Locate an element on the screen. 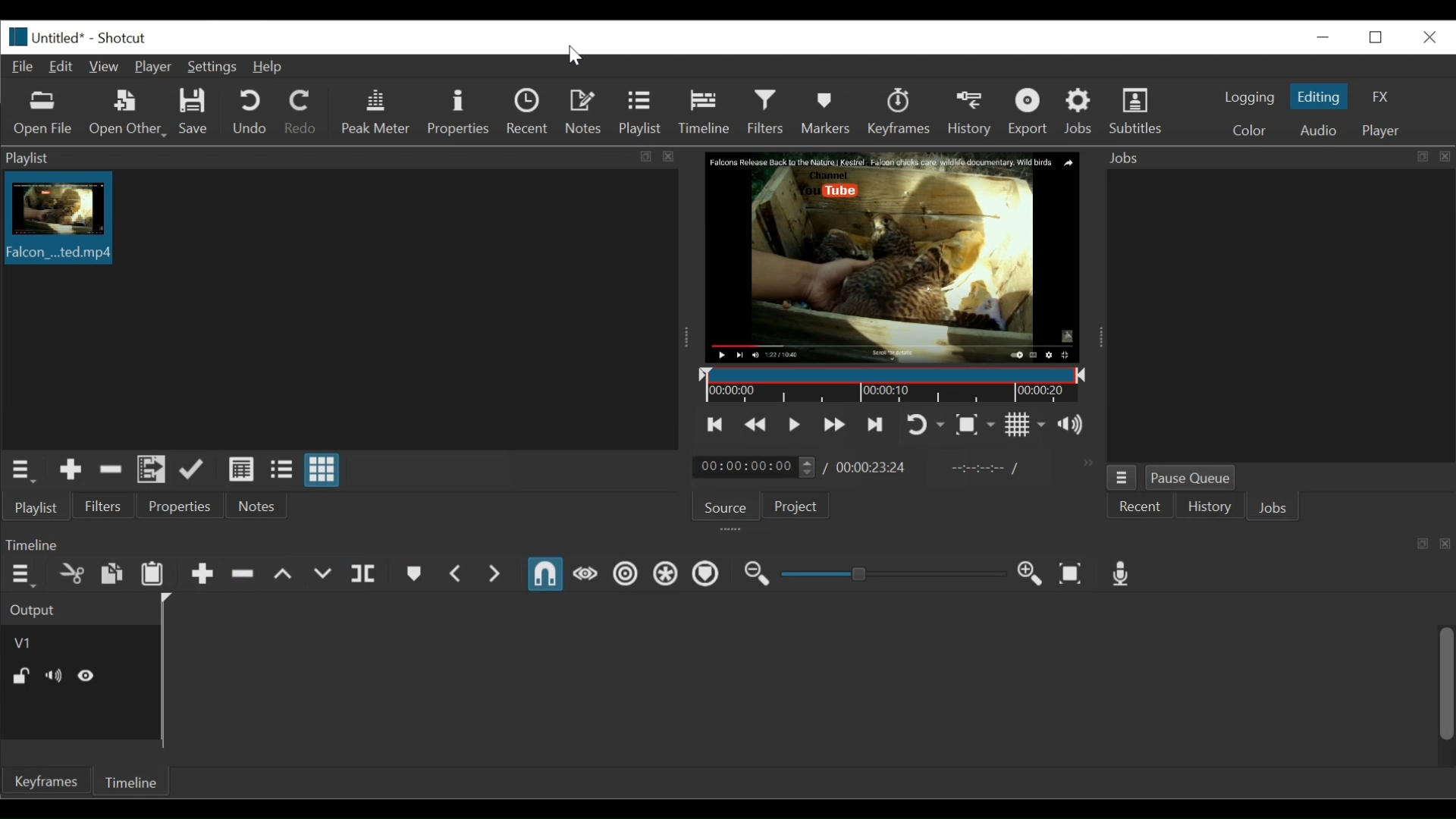 This screenshot has height=819, width=1456. Player is located at coordinates (152, 67).